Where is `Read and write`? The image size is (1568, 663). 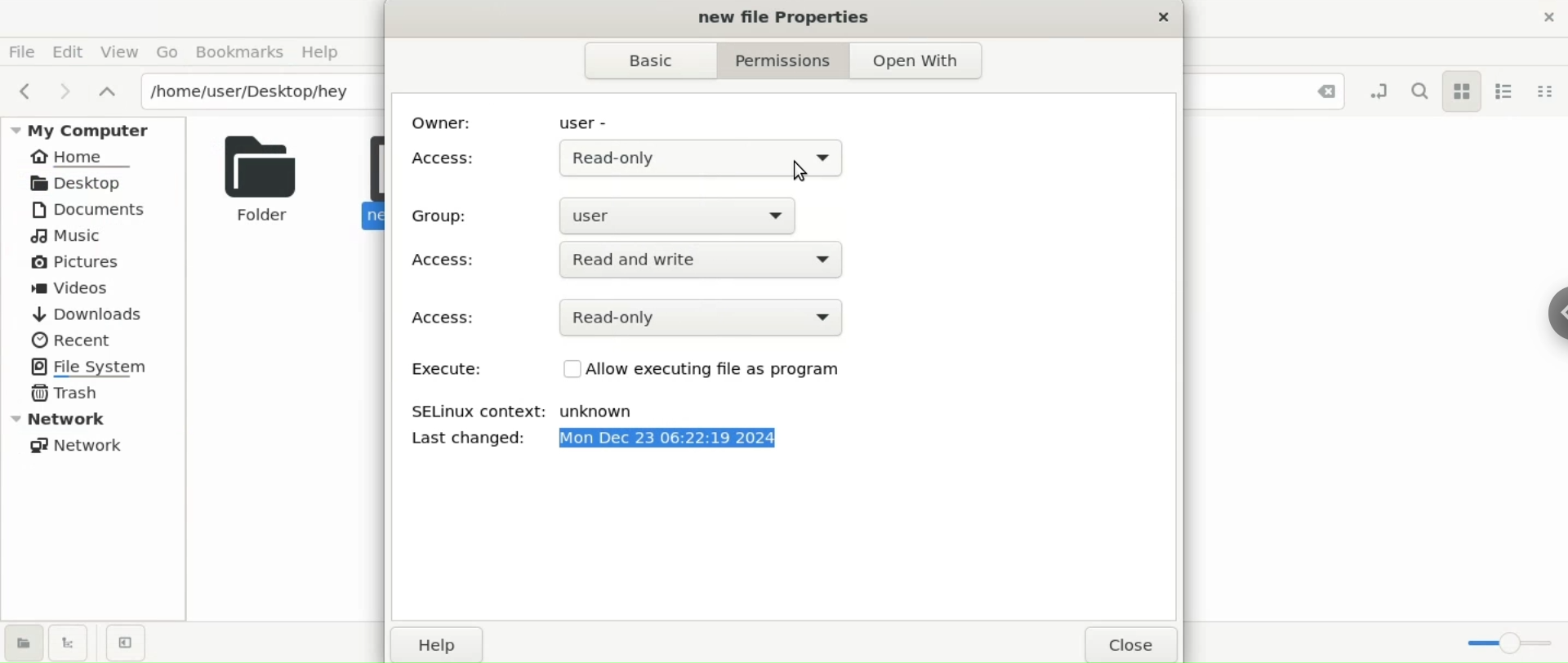 Read and write is located at coordinates (689, 262).